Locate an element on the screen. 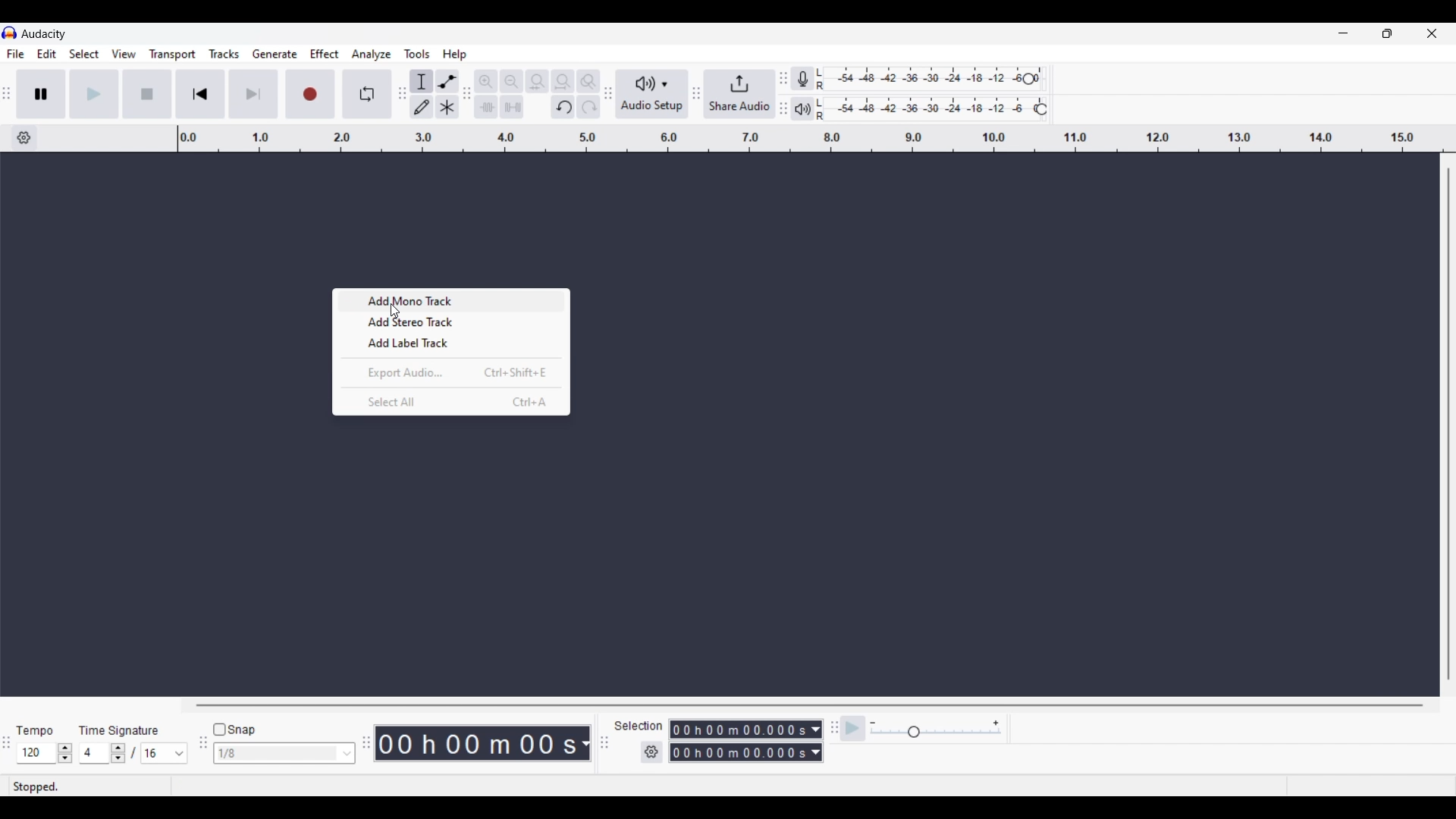 The image size is (1456, 819). Selected time signature is located at coordinates (156, 754).